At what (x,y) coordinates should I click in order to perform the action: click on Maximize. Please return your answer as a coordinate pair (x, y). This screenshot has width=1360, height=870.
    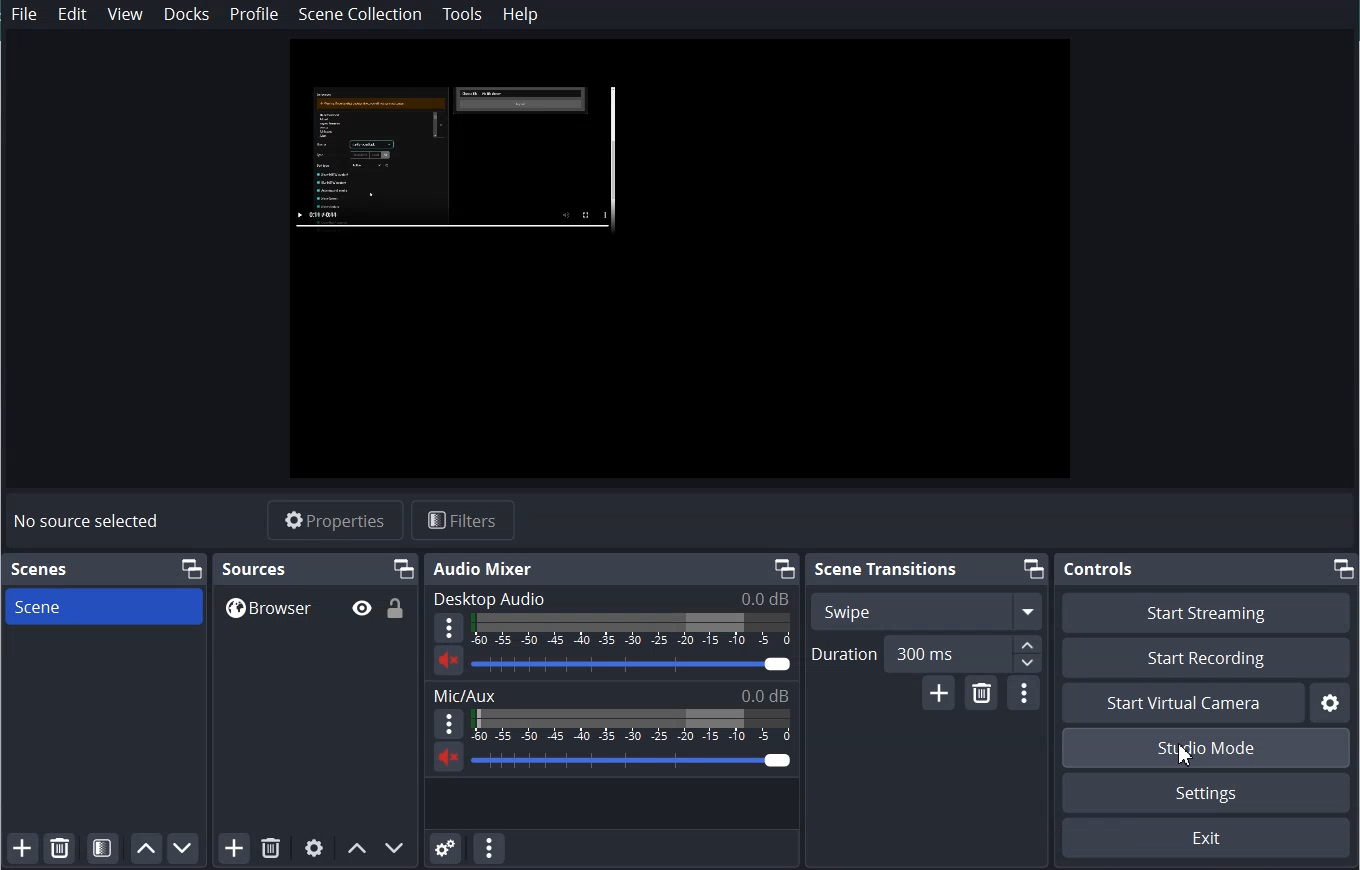
    Looking at the image, I should click on (190, 569).